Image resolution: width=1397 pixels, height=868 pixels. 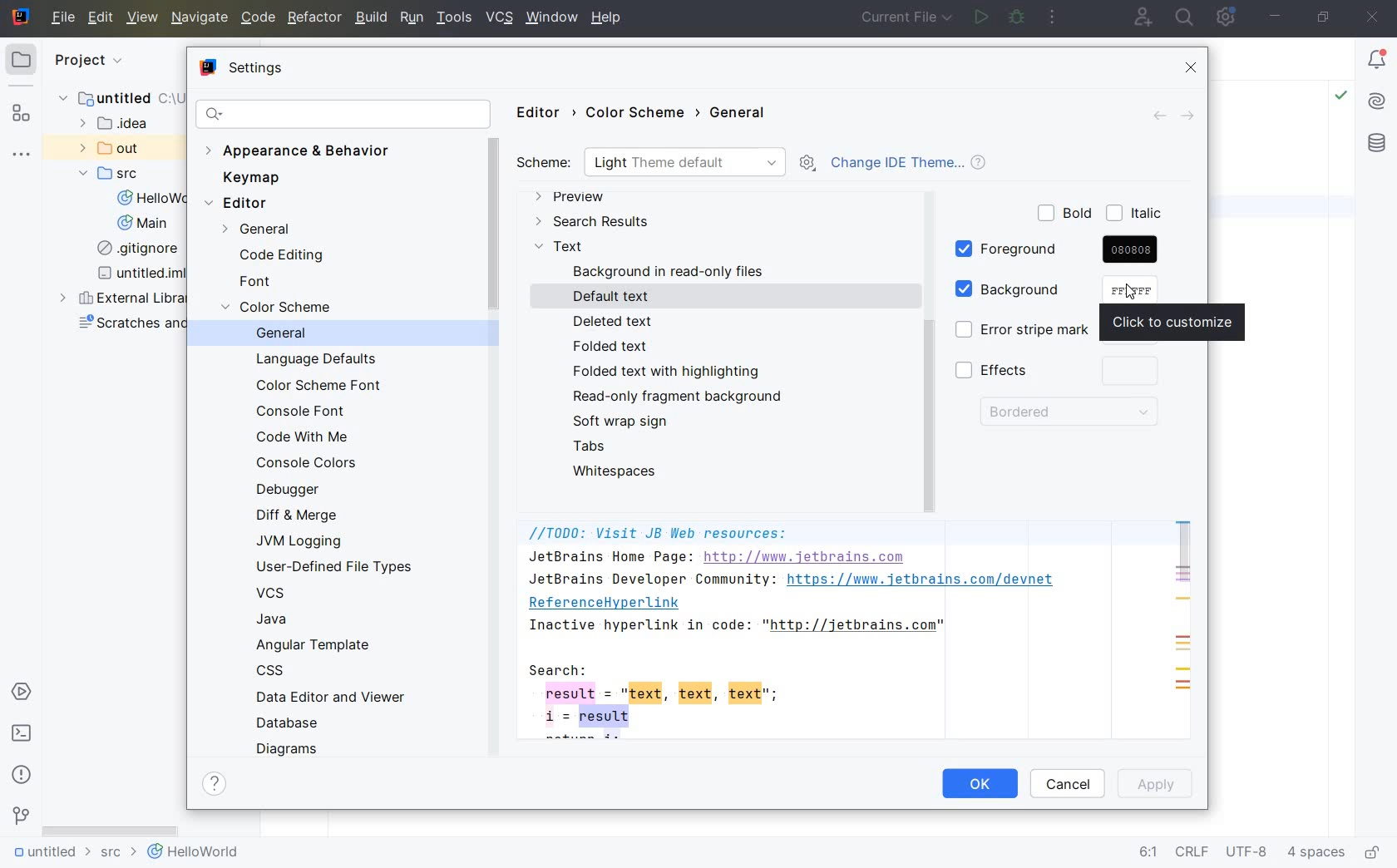 I want to click on search everywhere, so click(x=1184, y=17).